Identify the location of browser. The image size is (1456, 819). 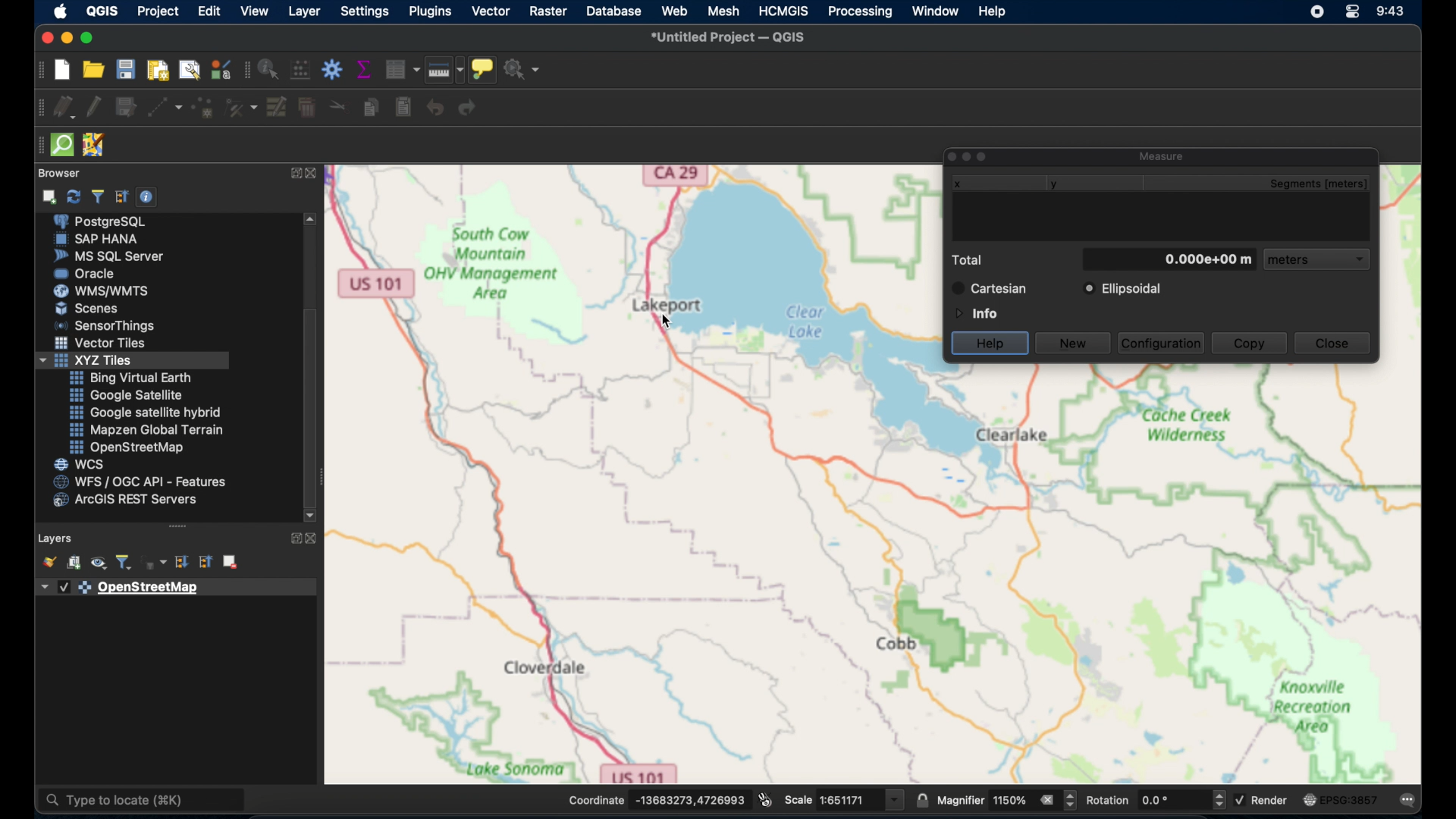
(63, 171).